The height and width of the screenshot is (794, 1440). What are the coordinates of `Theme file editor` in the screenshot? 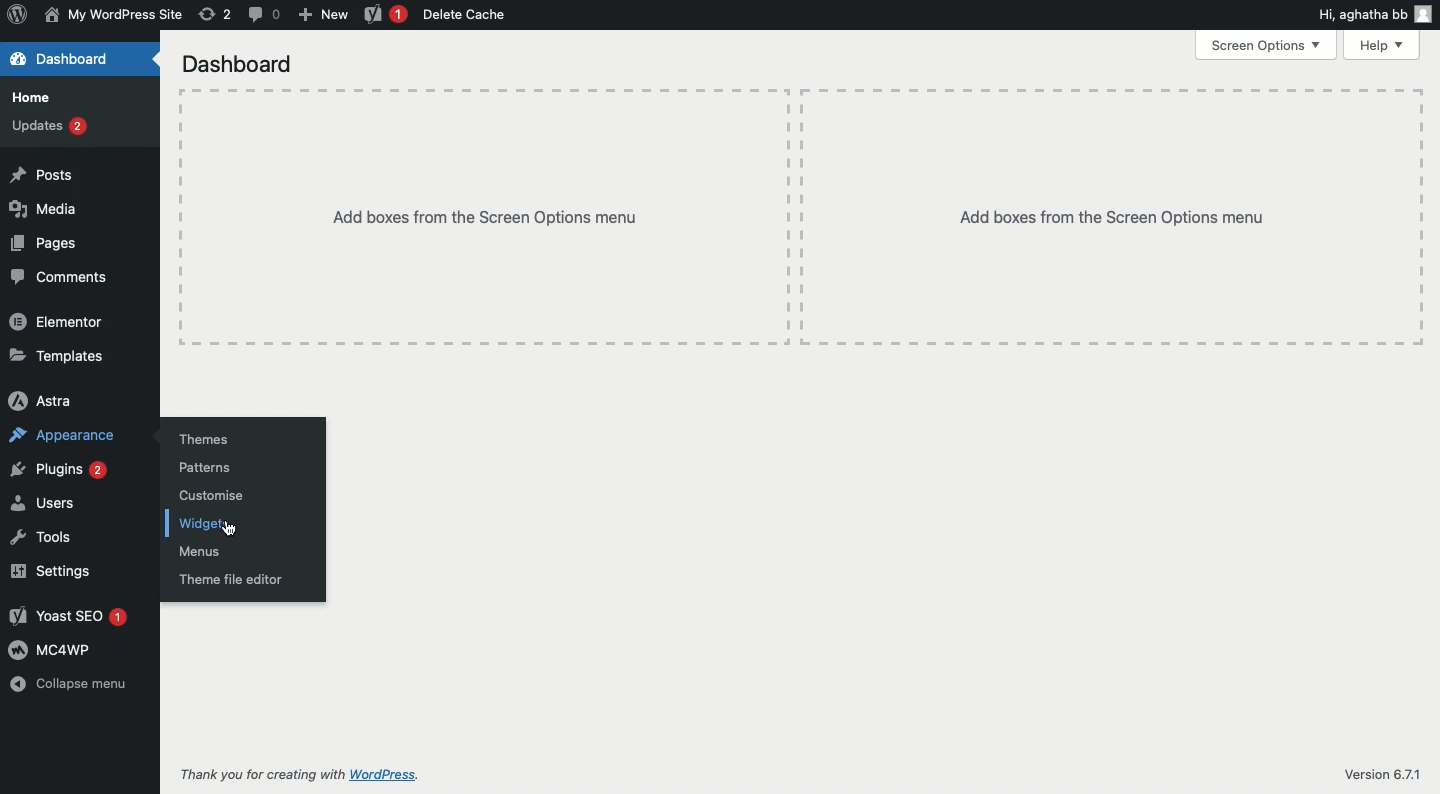 It's located at (235, 584).